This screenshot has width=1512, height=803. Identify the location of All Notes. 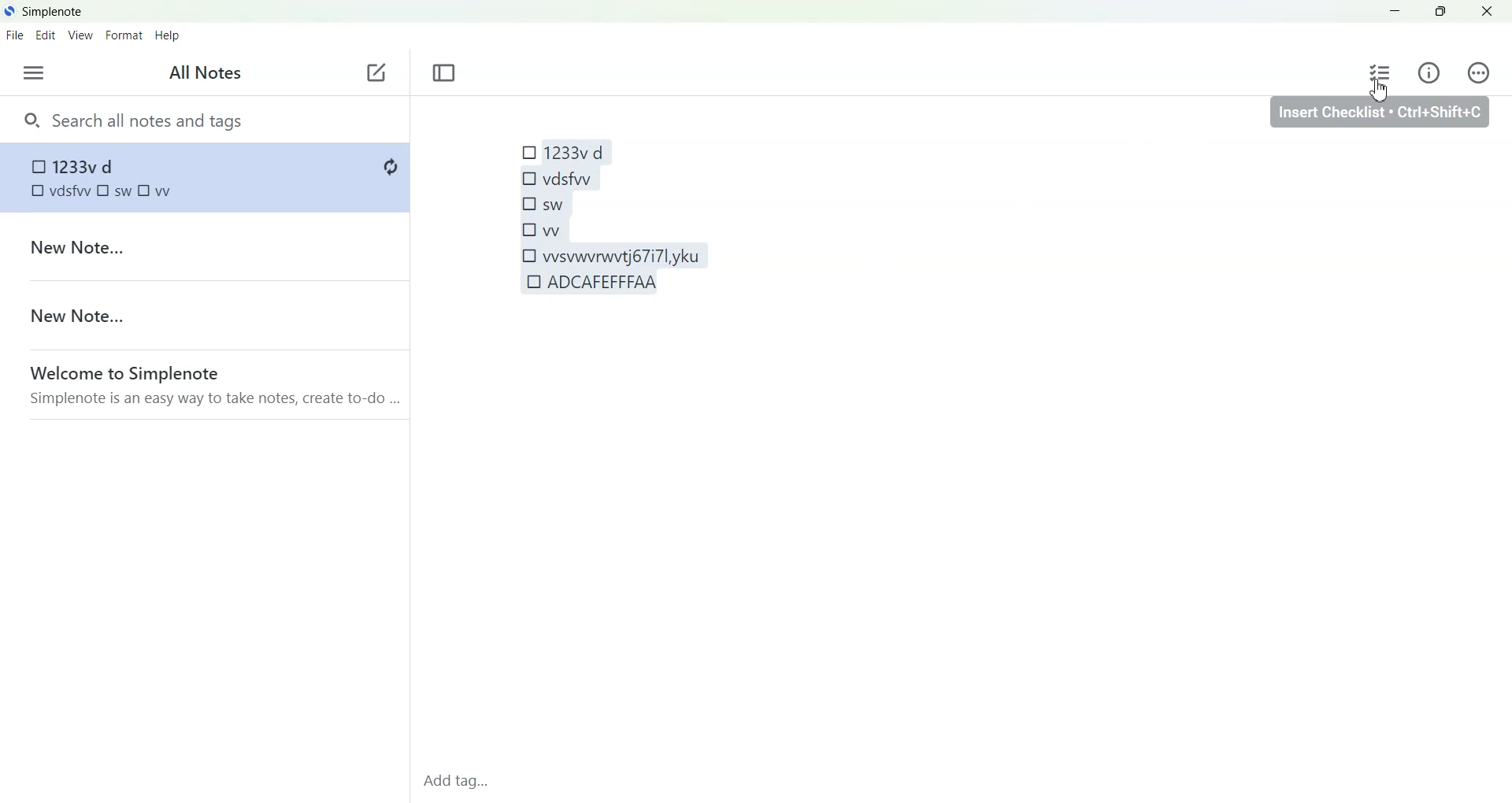
(206, 72).